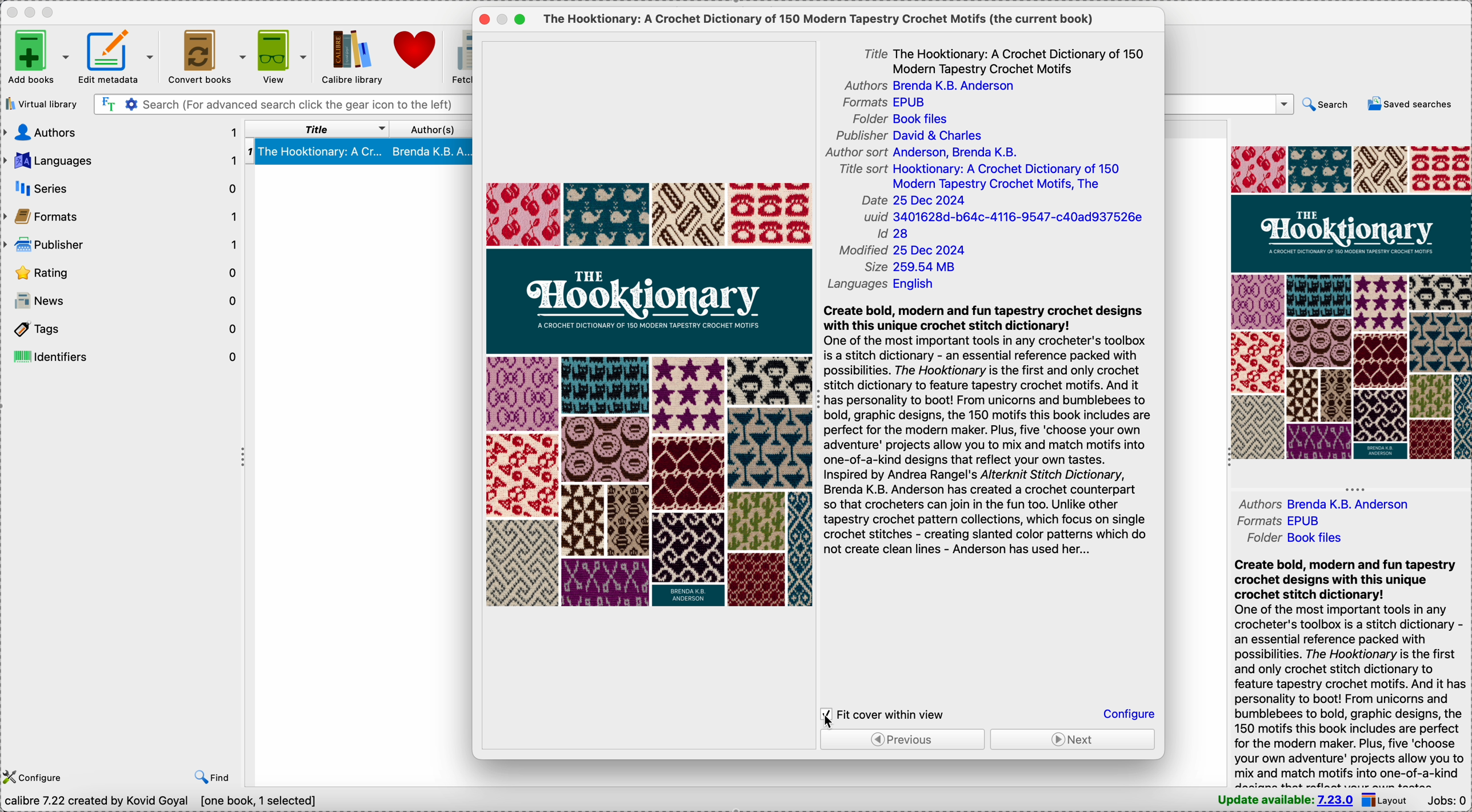 This screenshot has width=1472, height=812. Describe the element at coordinates (890, 101) in the screenshot. I see `formats` at that location.